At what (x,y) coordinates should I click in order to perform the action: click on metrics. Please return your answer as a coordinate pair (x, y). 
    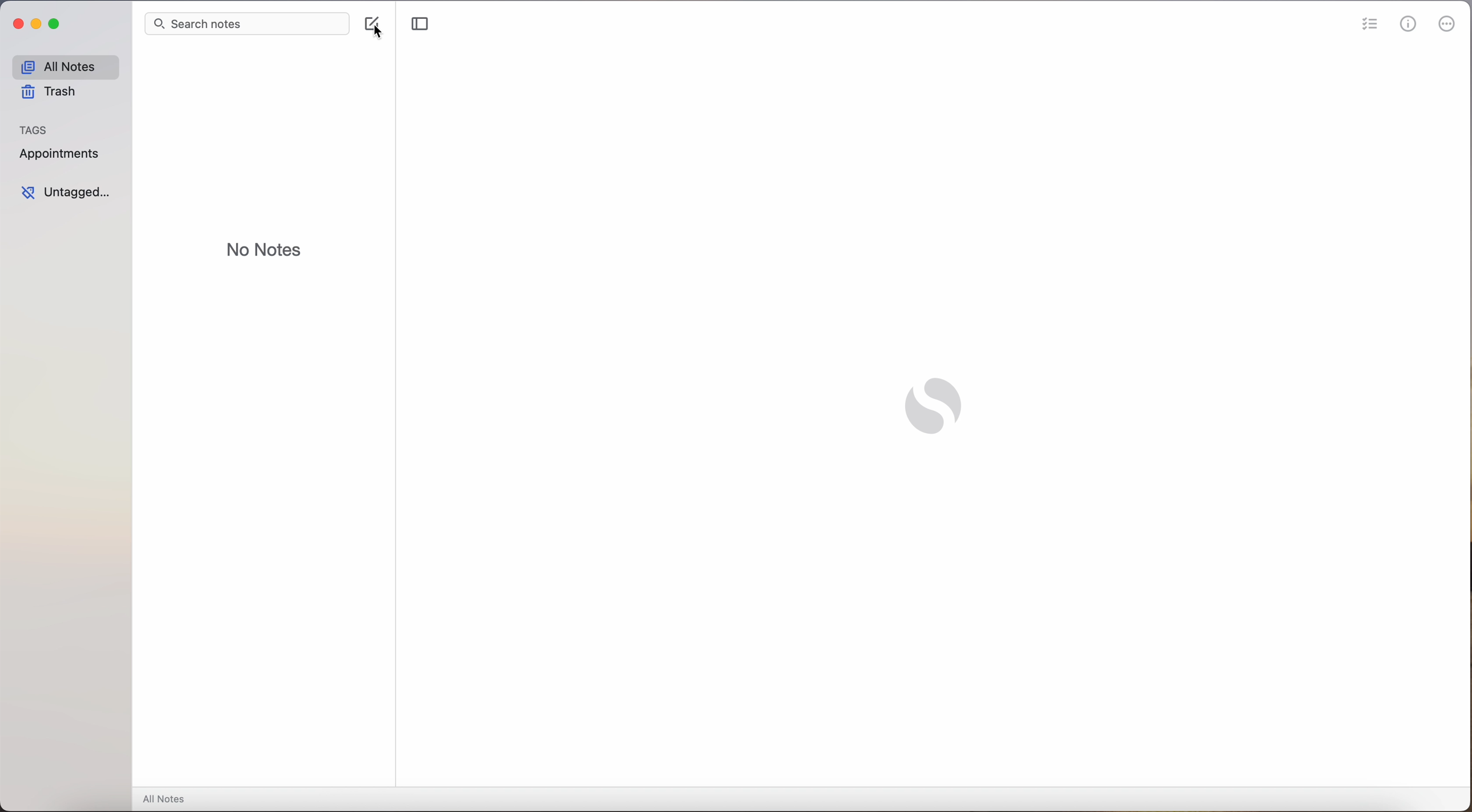
    Looking at the image, I should click on (1410, 24).